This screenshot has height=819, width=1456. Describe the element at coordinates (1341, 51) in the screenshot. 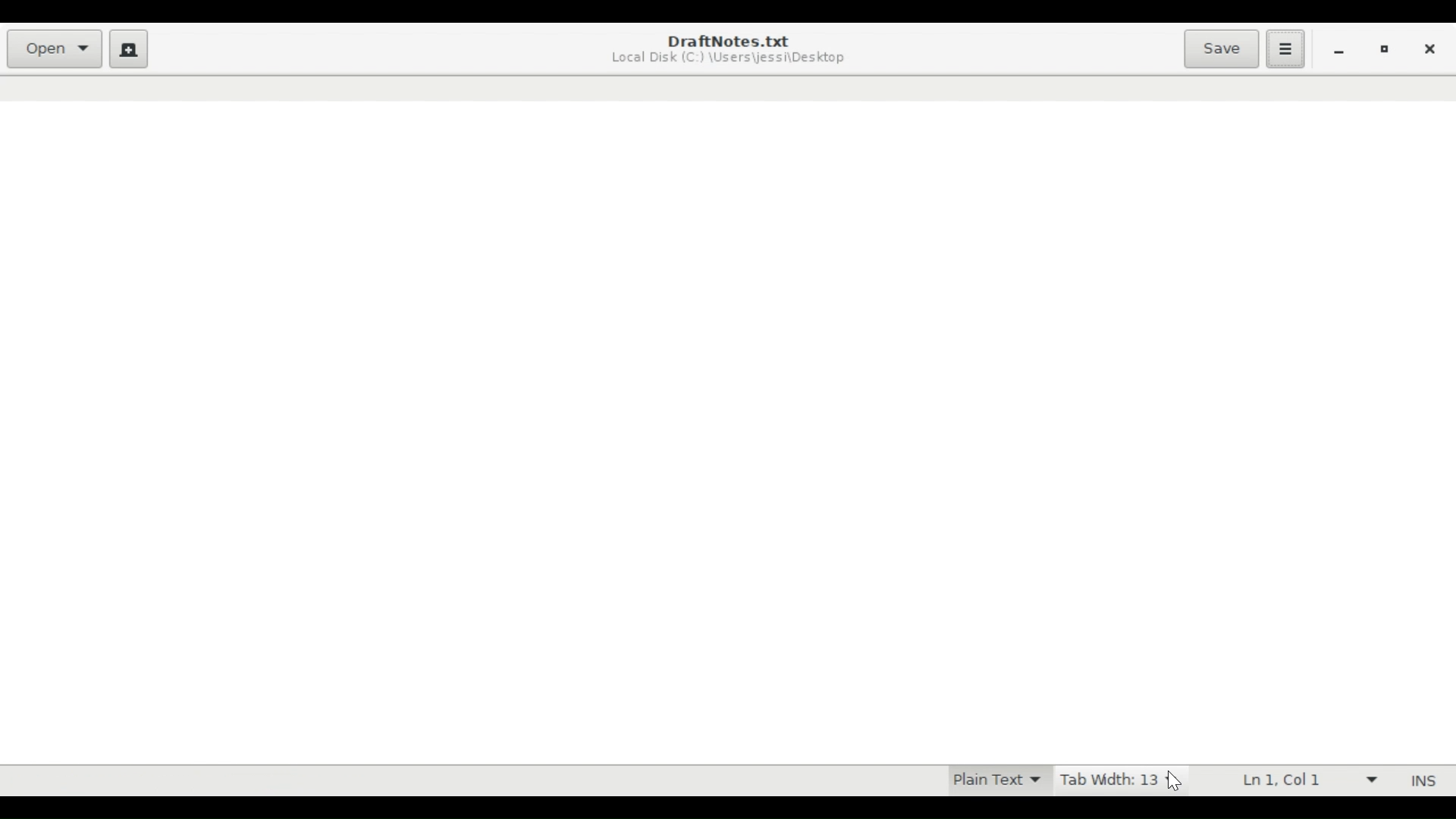

I see `minimize` at that location.